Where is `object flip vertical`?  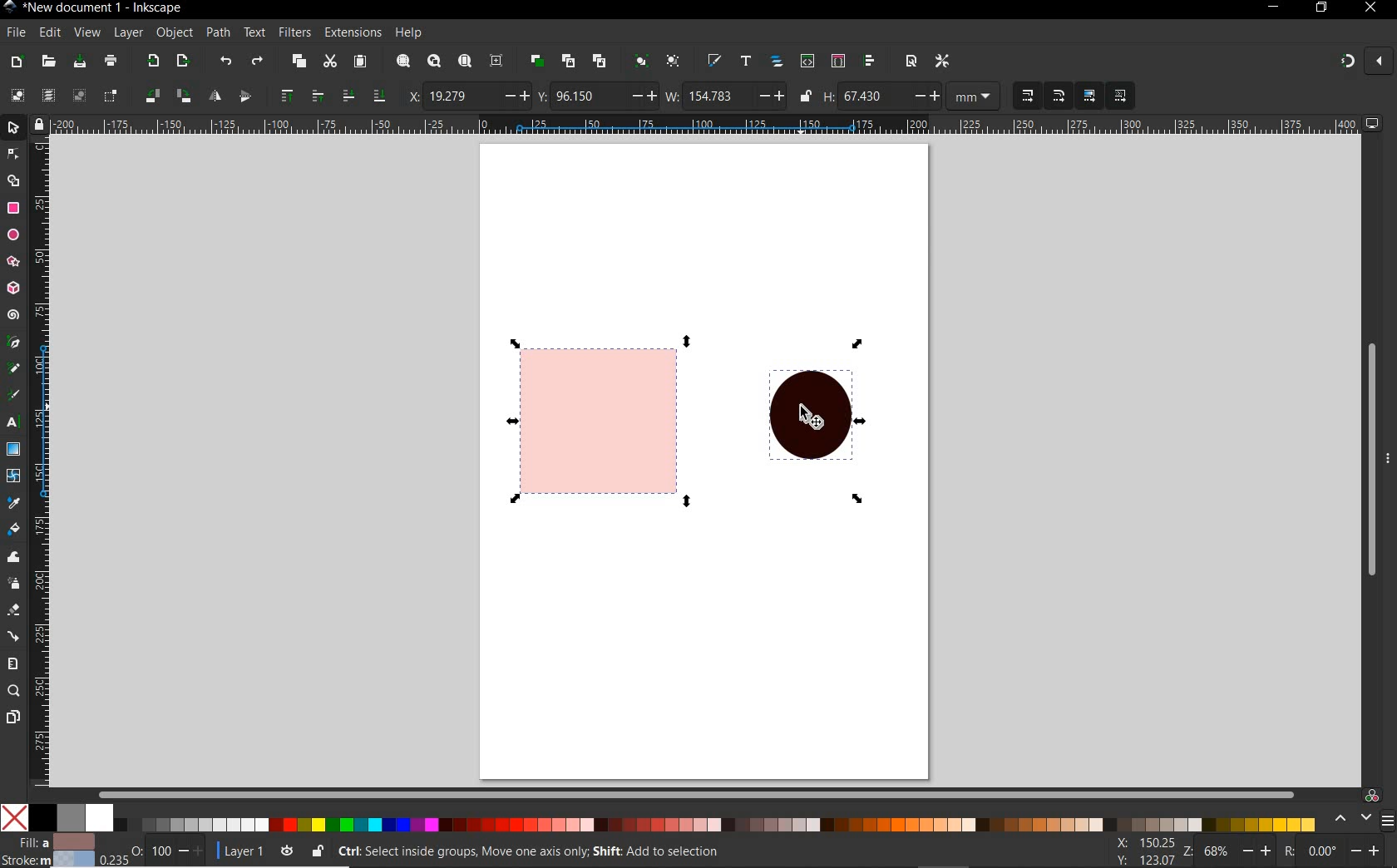 object flip vertical is located at coordinates (244, 94).